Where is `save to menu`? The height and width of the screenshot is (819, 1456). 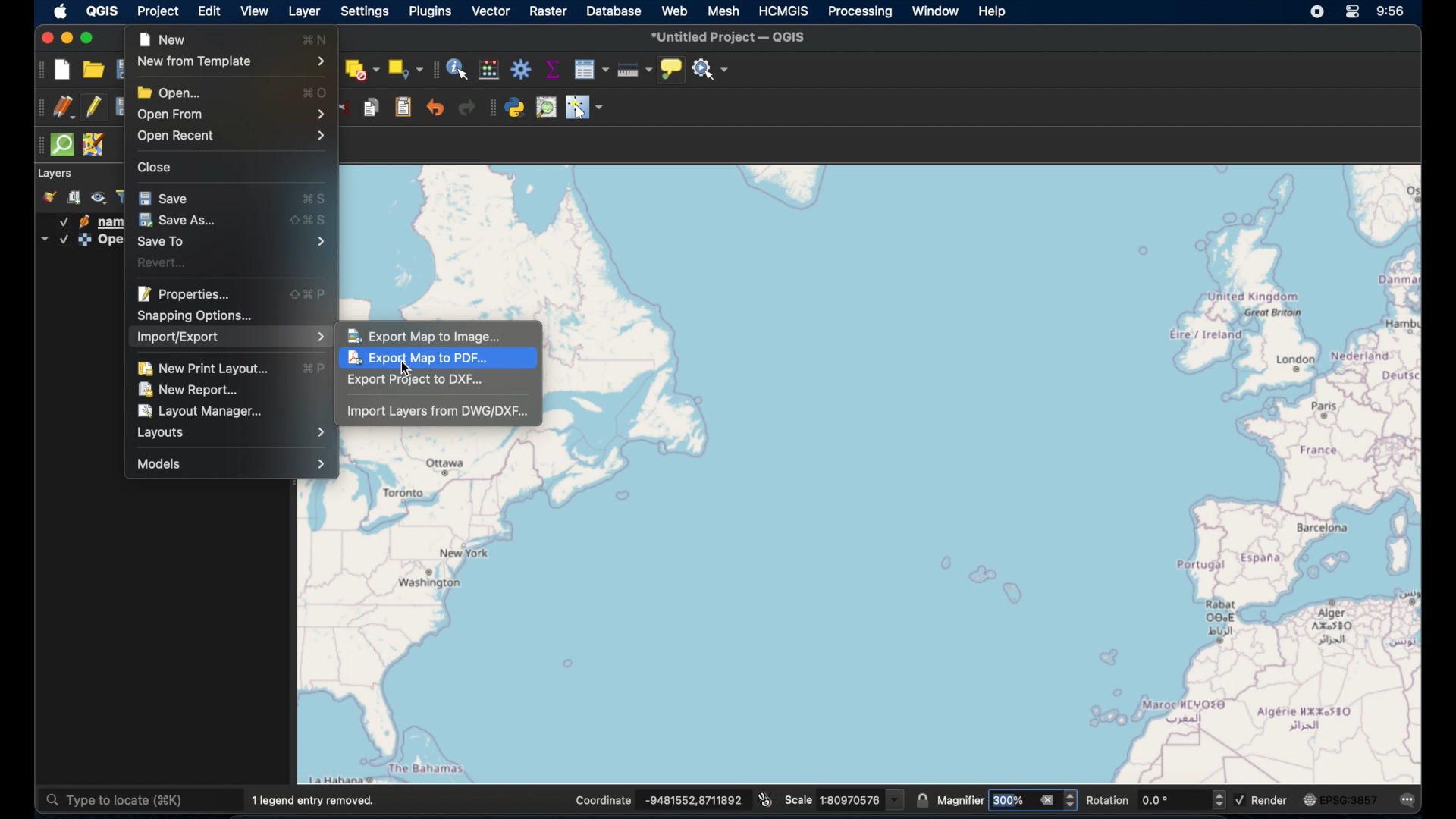
save to menu is located at coordinates (232, 241).